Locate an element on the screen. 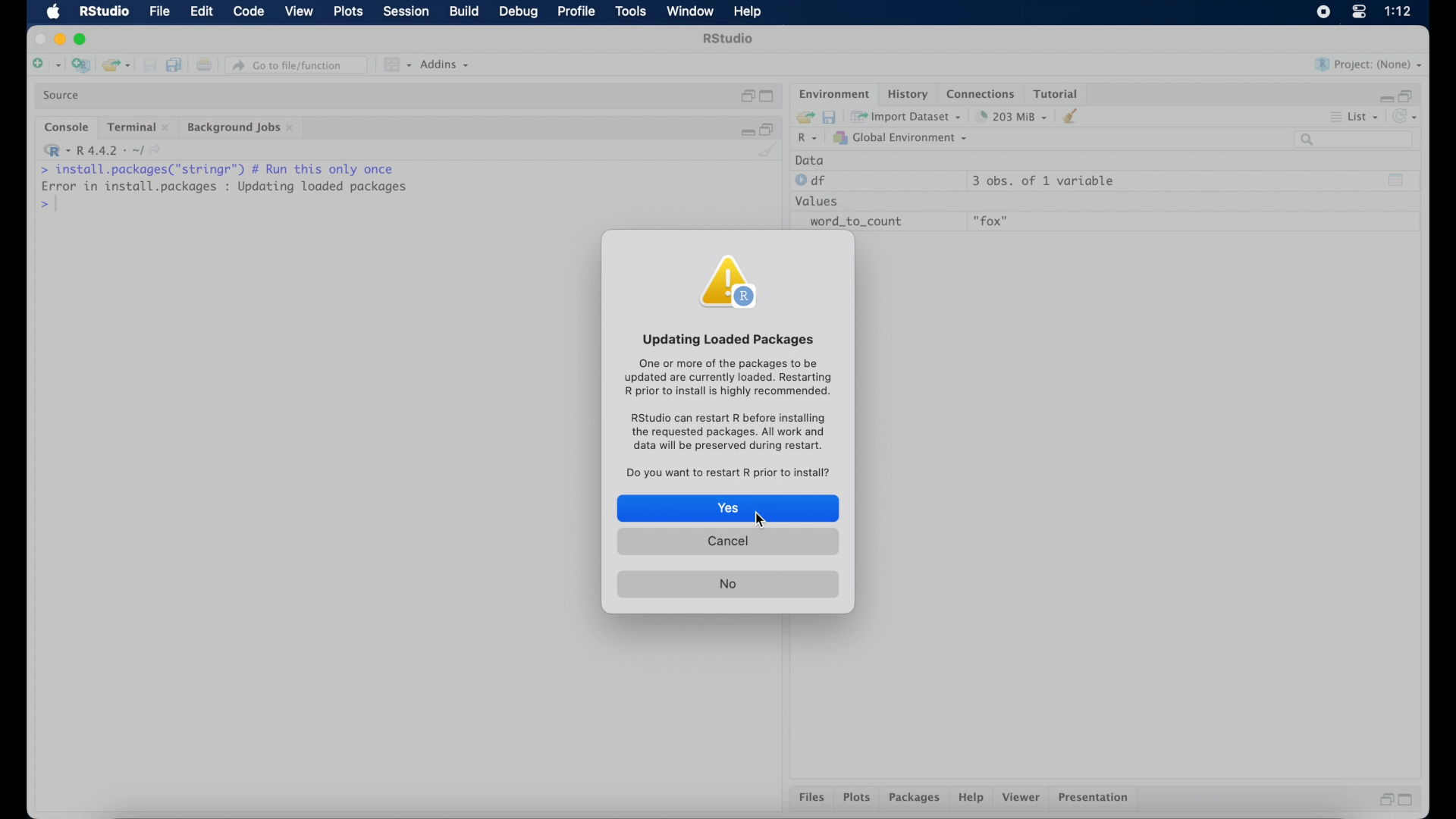  create new file is located at coordinates (45, 66).